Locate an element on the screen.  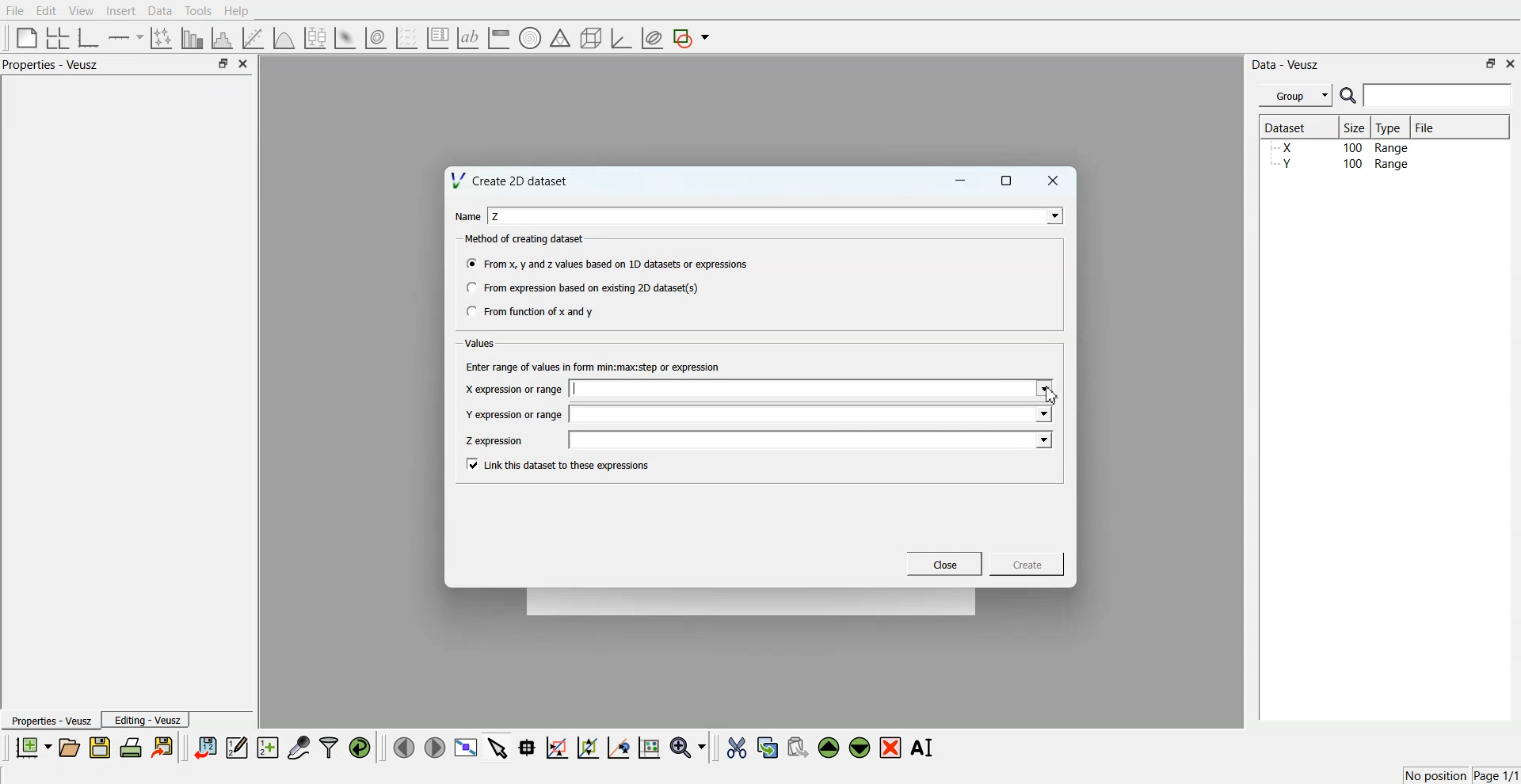
‘Name is located at coordinates (467, 217).